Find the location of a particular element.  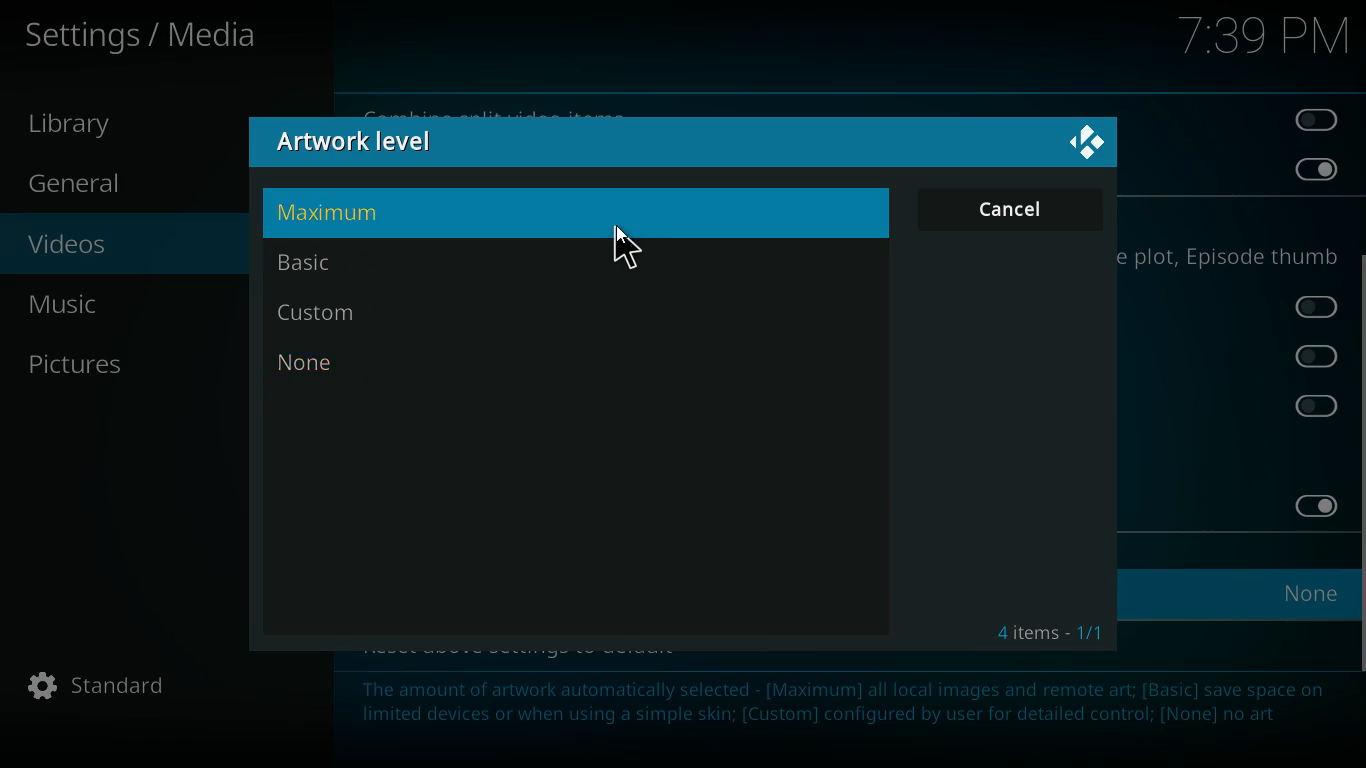

scroll bar is located at coordinates (1359, 461).